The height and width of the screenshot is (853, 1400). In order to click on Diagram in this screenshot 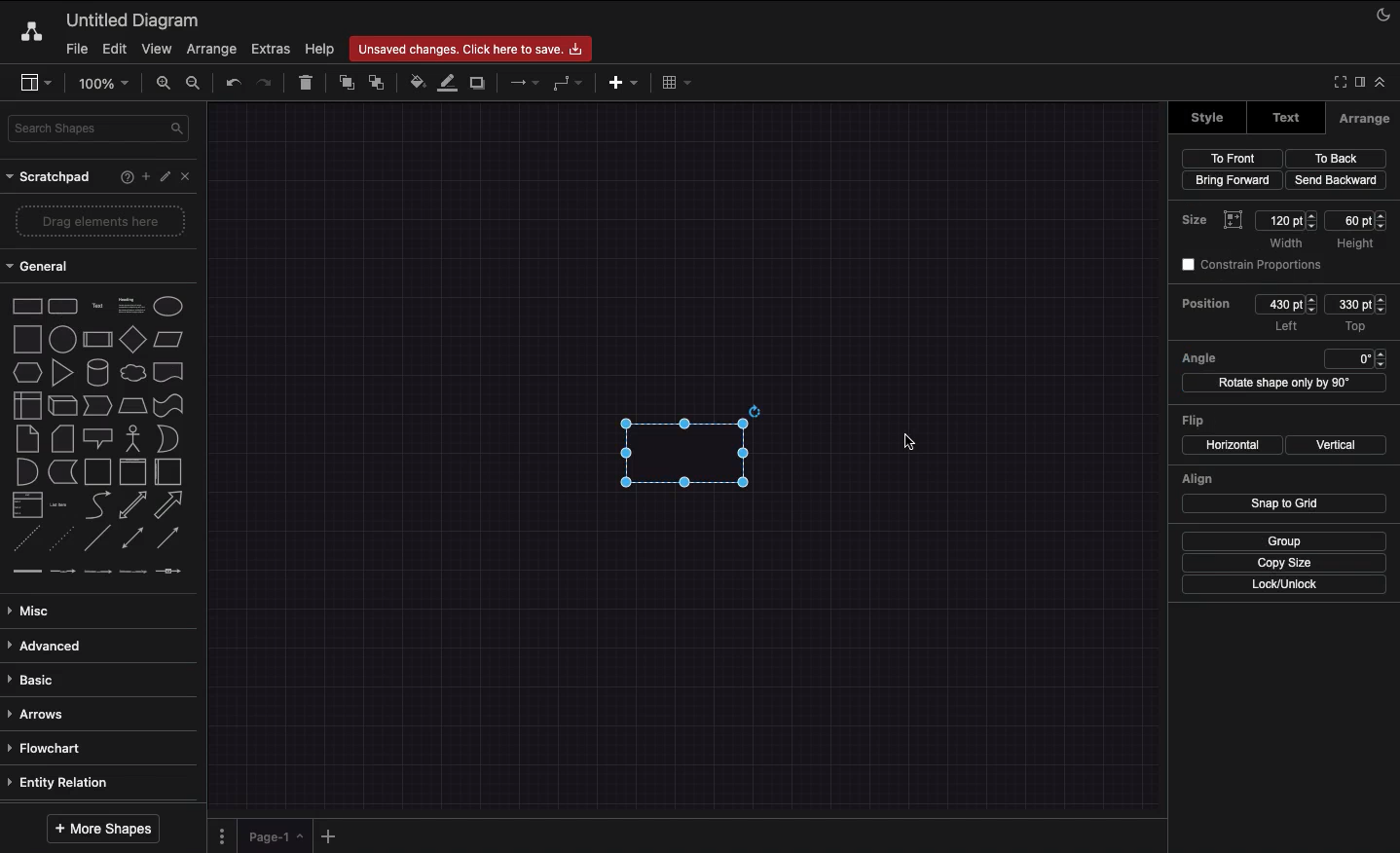, I will do `click(138, 18)`.